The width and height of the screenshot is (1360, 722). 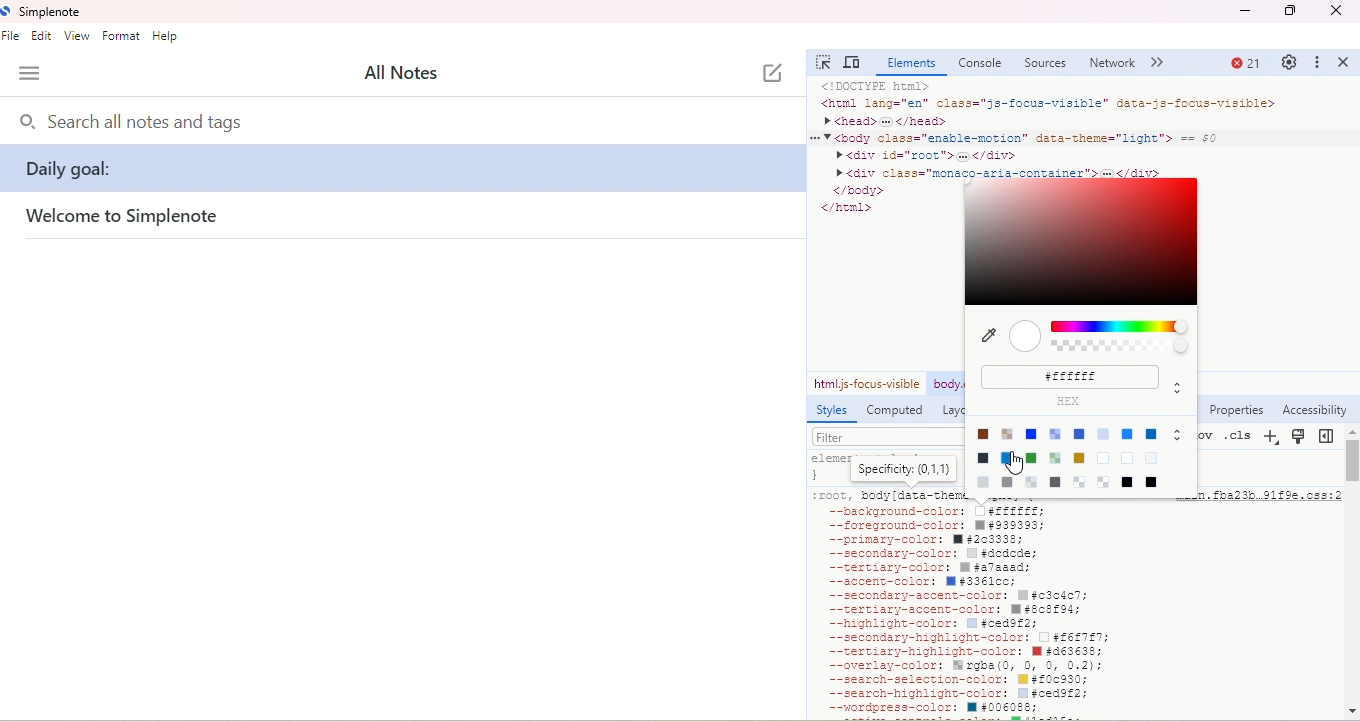 What do you see at coordinates (13, 37) in the screenshot?
I see `file` at bounding box center [13, 37].